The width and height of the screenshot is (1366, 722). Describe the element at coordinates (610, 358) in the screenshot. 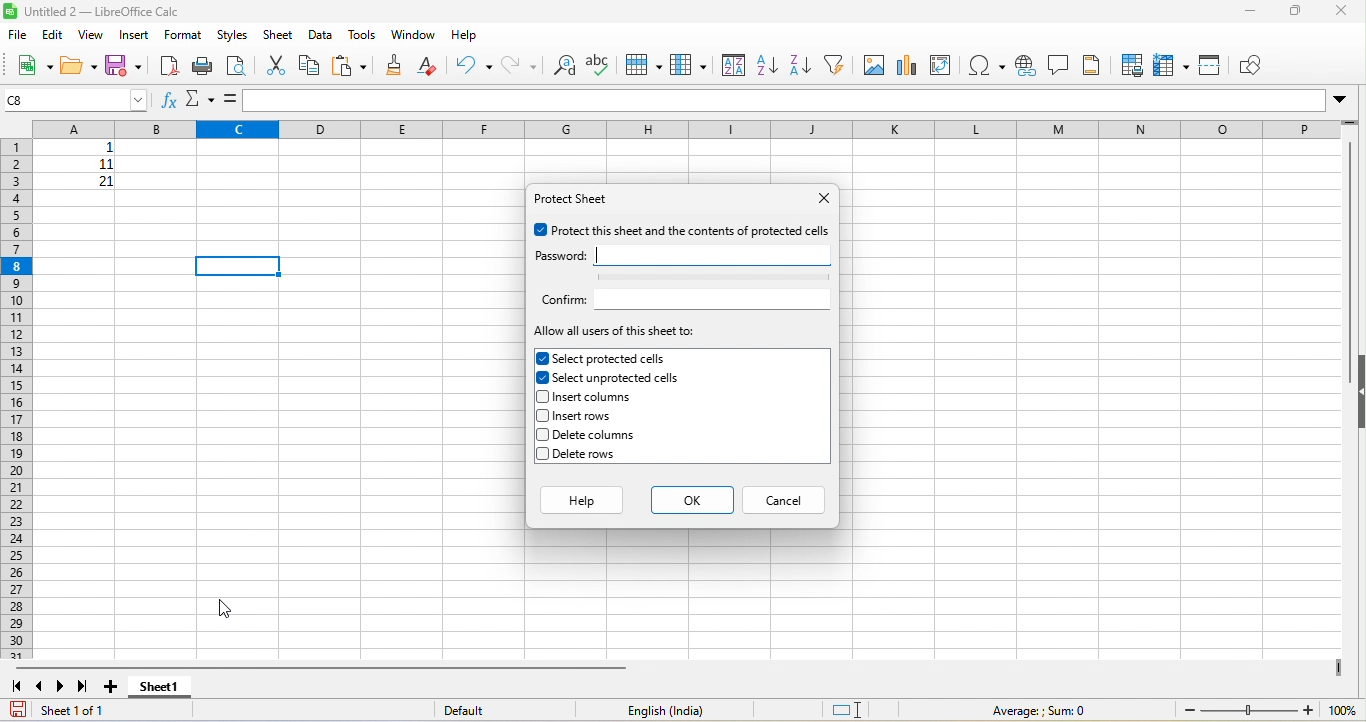

I see `selected protected cells` at that location.